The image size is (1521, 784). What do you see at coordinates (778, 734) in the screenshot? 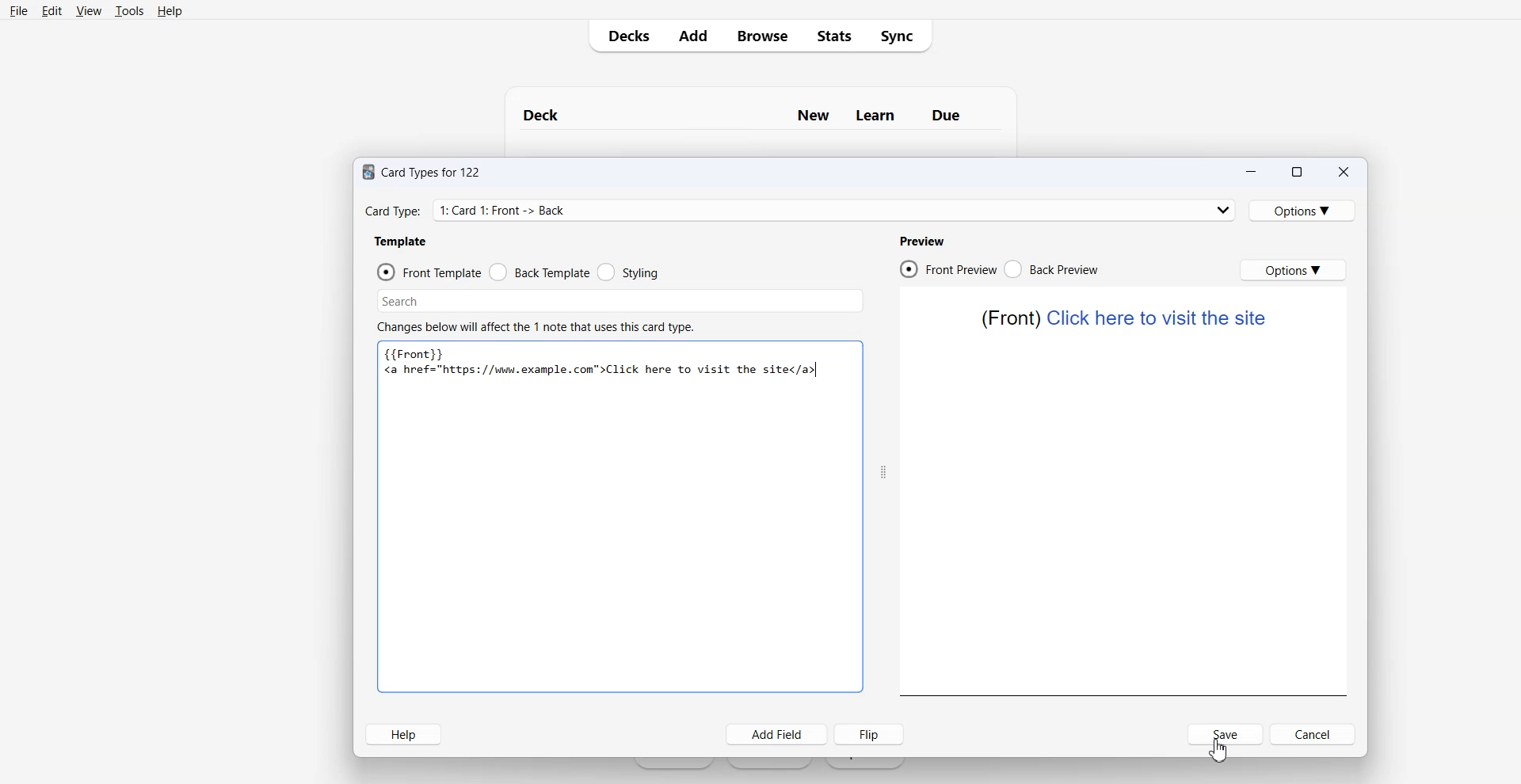
I see `Add Field` at bounding box center [778, 734].